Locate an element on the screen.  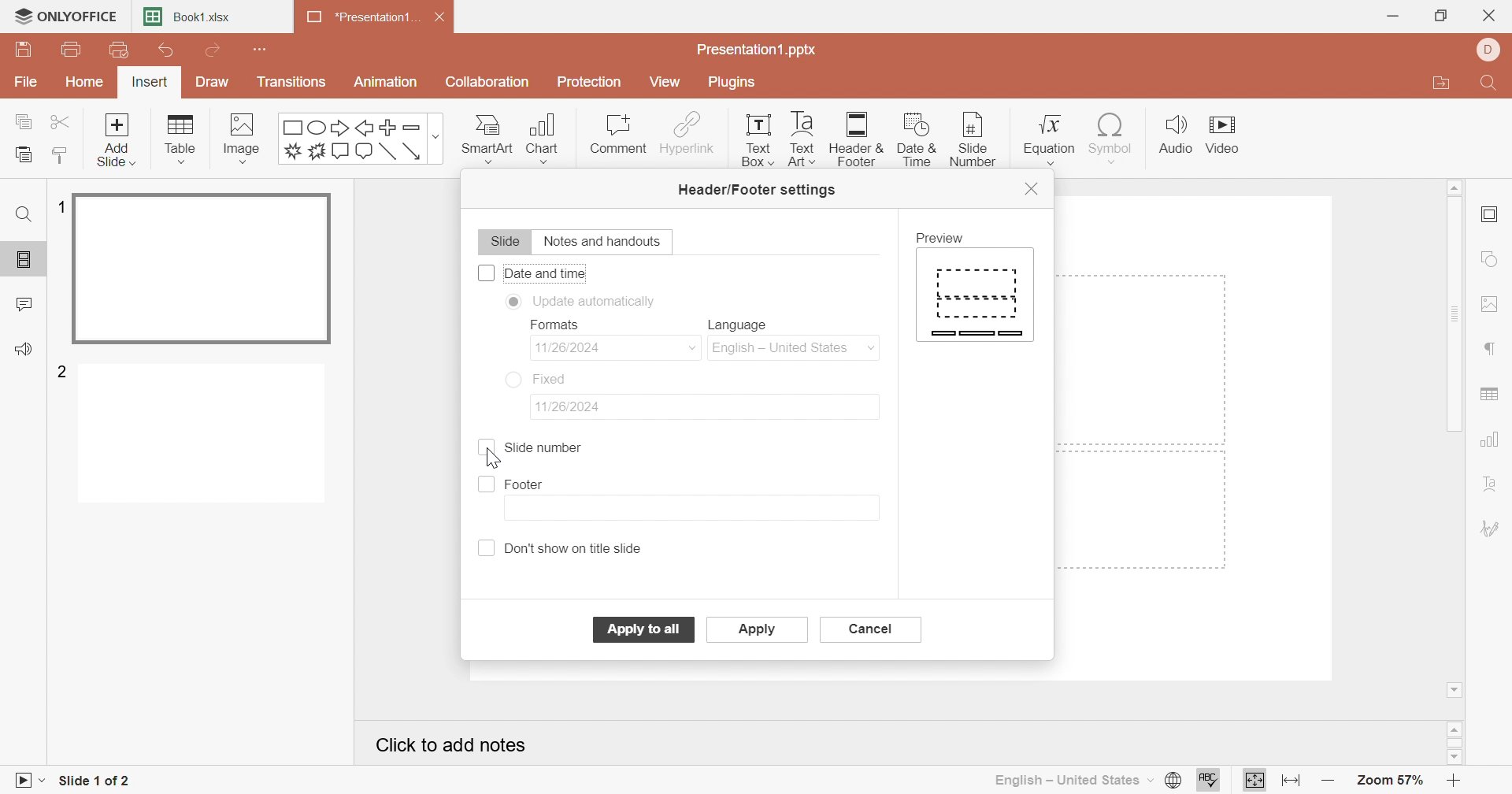
Insert is located at coordinates (150, 84).